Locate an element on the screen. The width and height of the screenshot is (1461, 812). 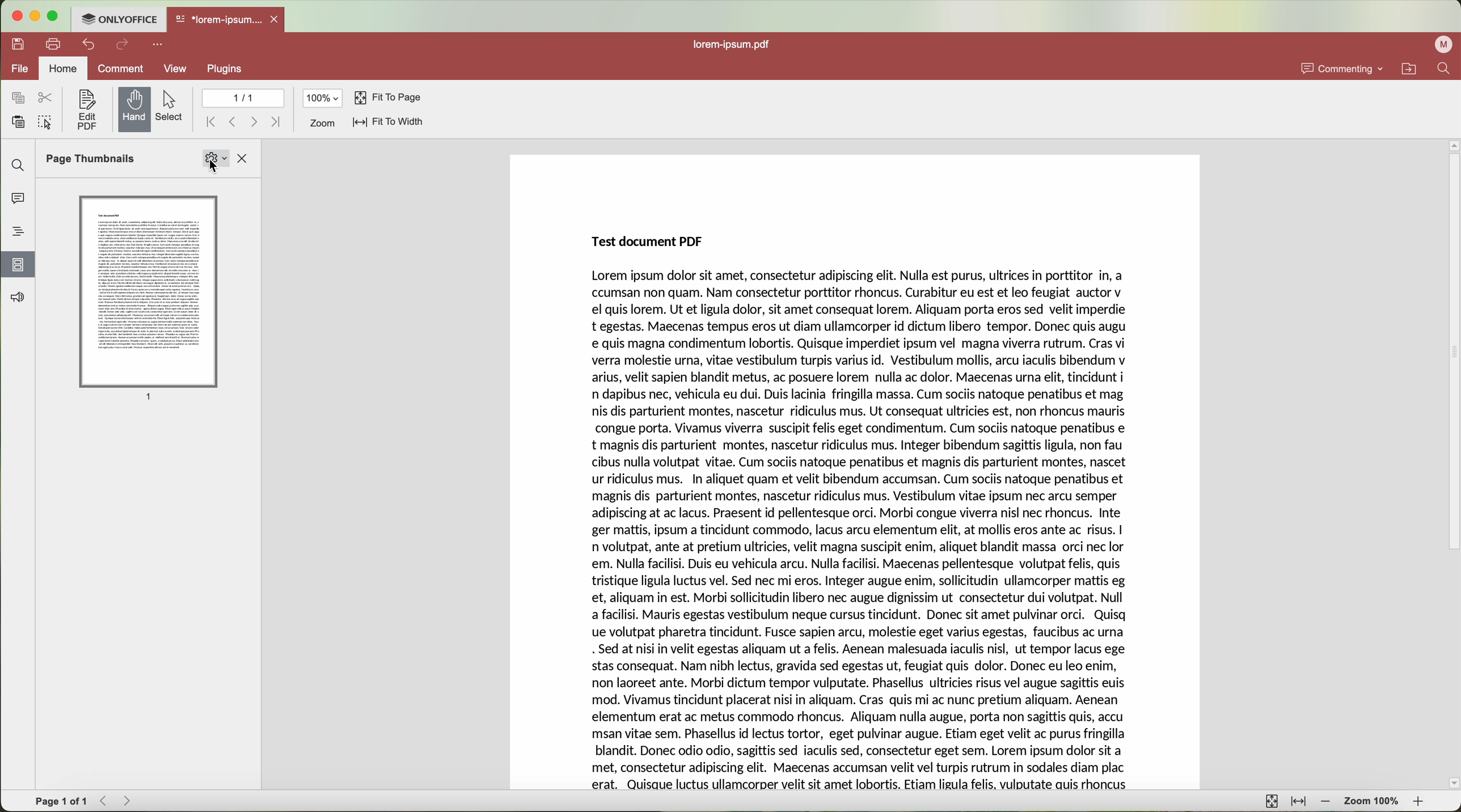
fit to page is located at coordinates (388, 98).